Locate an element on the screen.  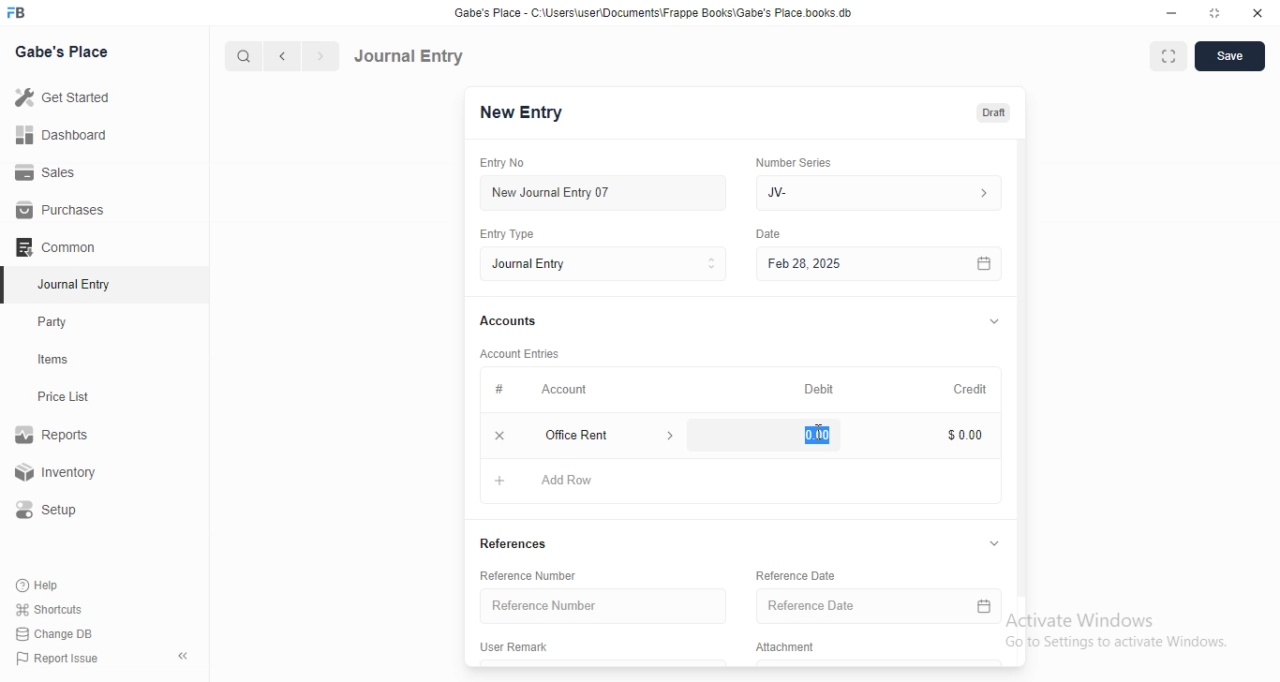
v is located at coordinates (994, 318).